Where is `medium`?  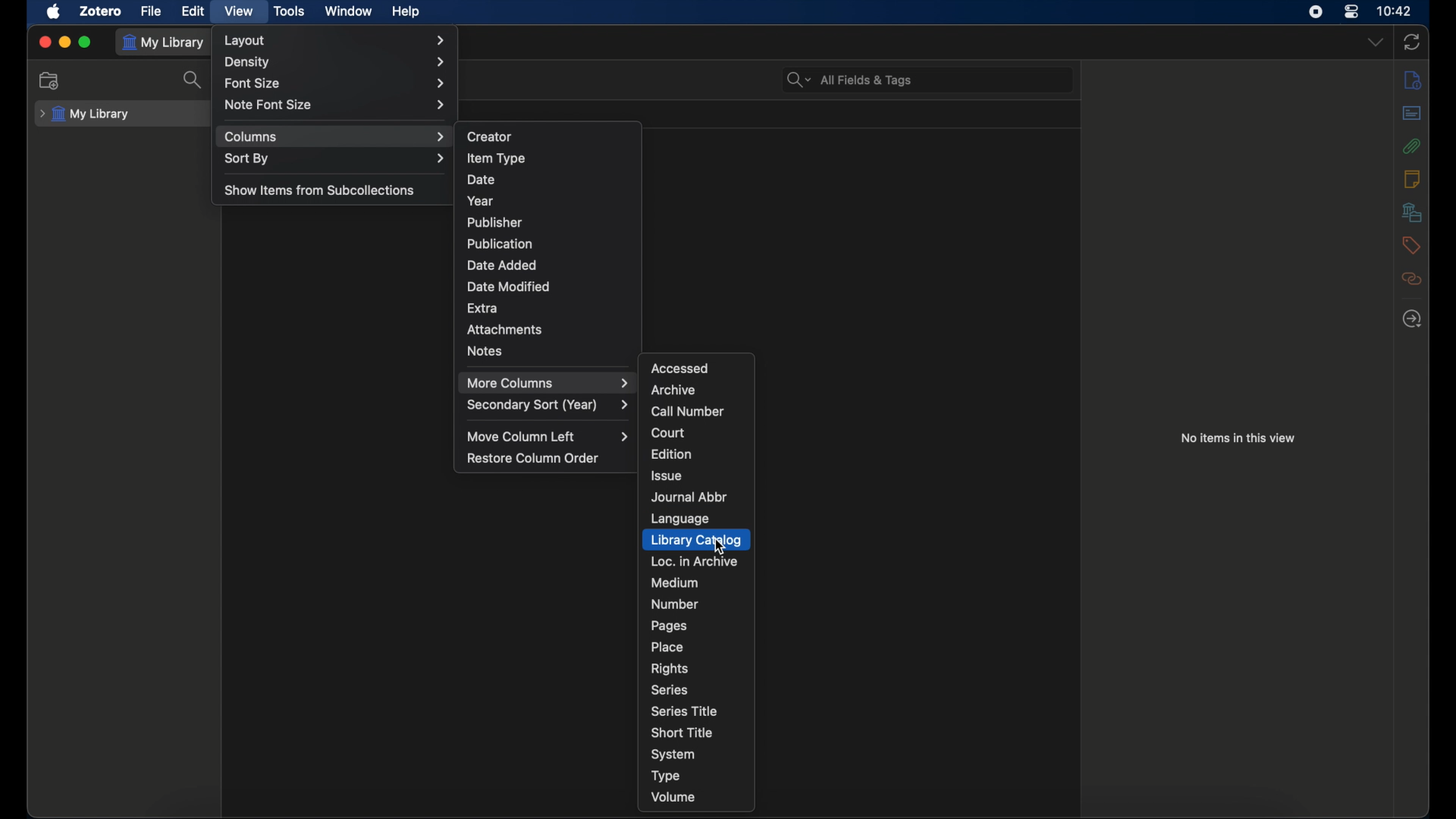 medium is located at coordinates (675, 583).